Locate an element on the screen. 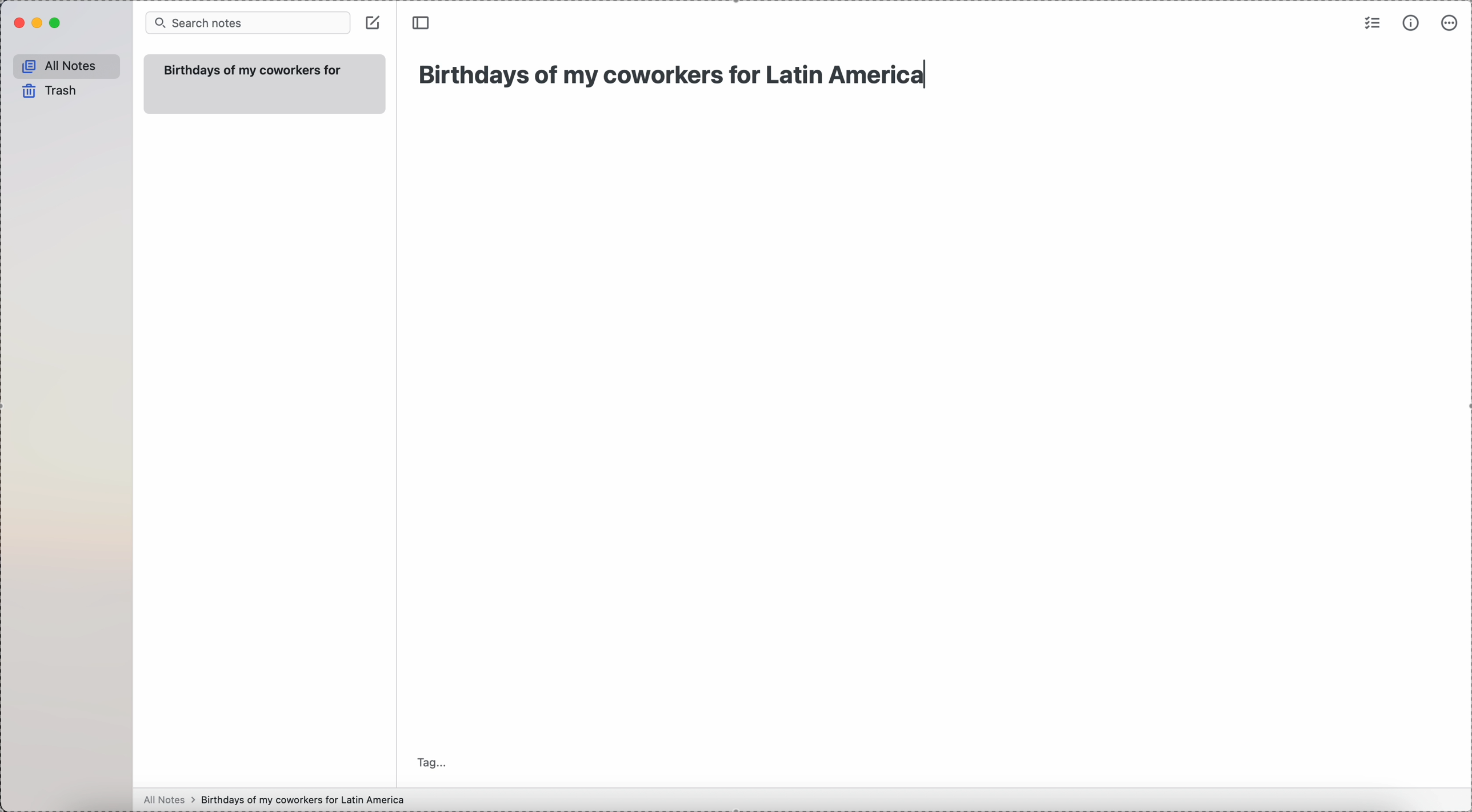 The height and width of the screenshot is (812, 1472). maximize Simplenote is located at coordinates (56, 23).